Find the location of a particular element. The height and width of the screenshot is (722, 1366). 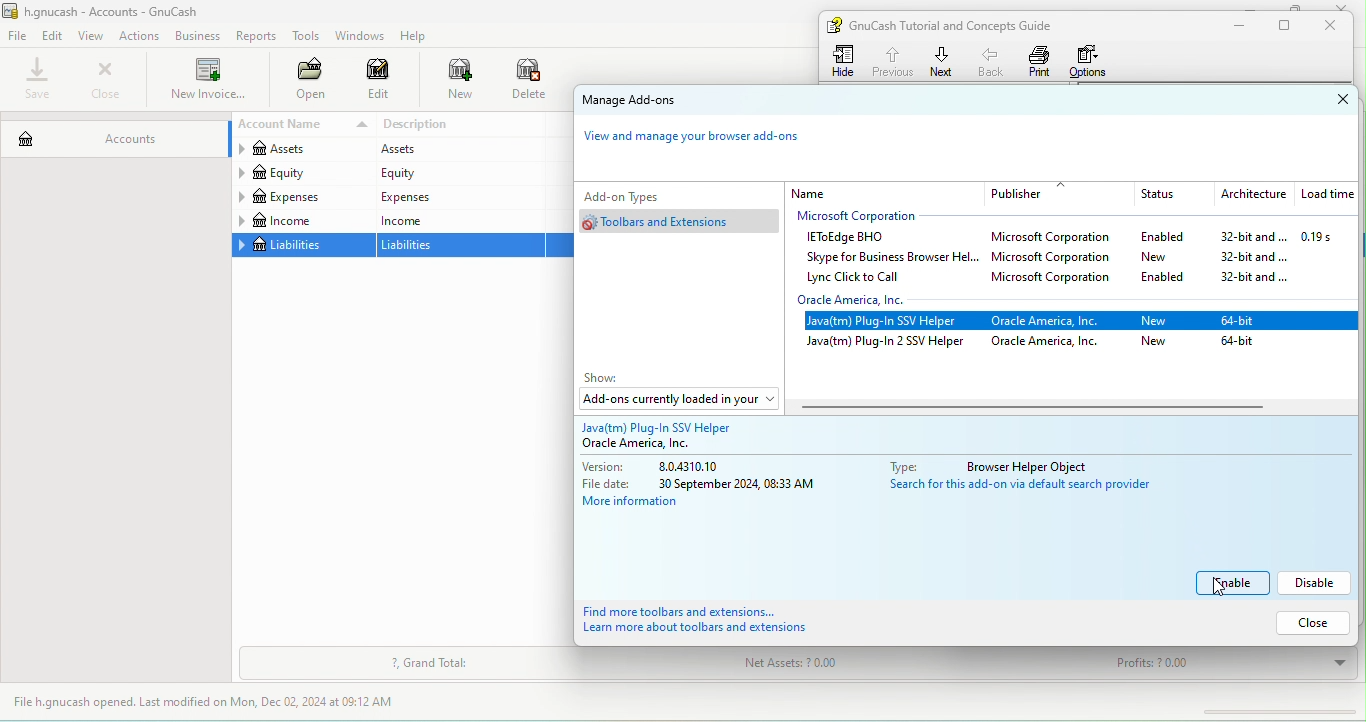

accounts is located at coordinates (112, 134).